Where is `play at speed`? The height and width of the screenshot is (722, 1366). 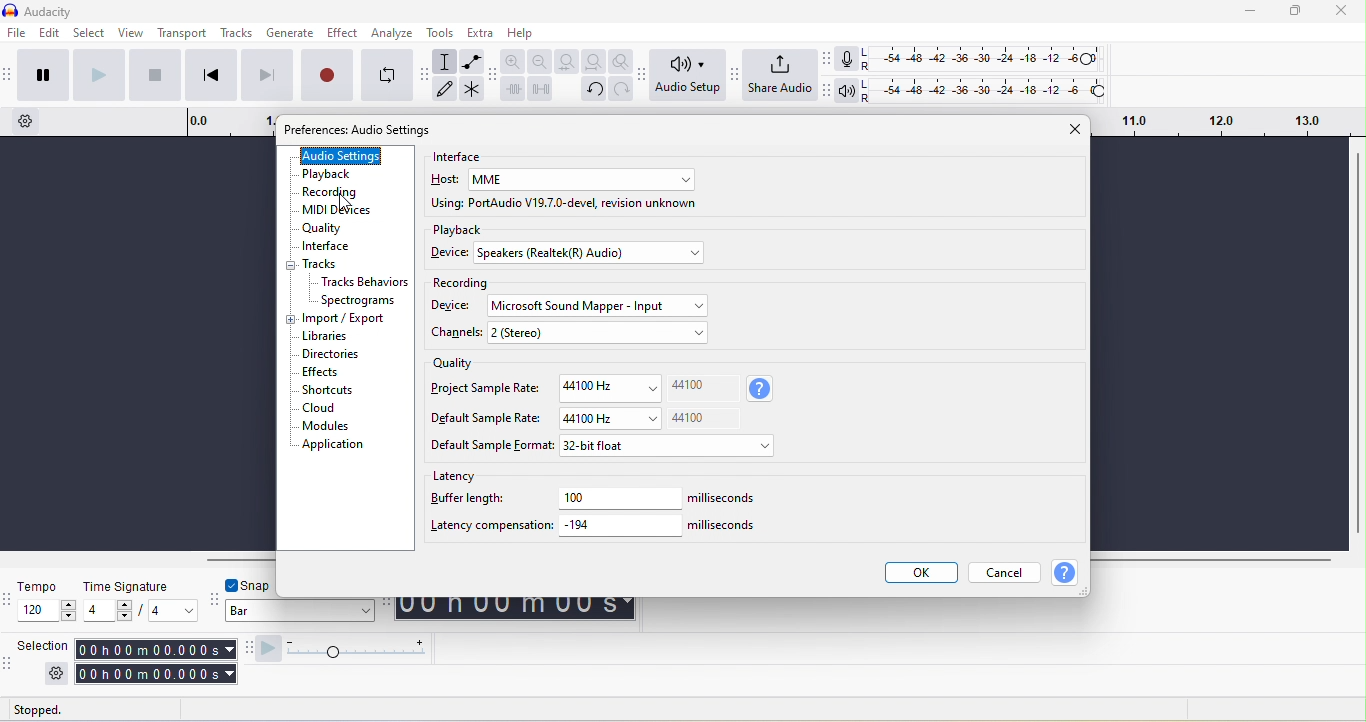 play at speed is located at coordinates (355, 649).